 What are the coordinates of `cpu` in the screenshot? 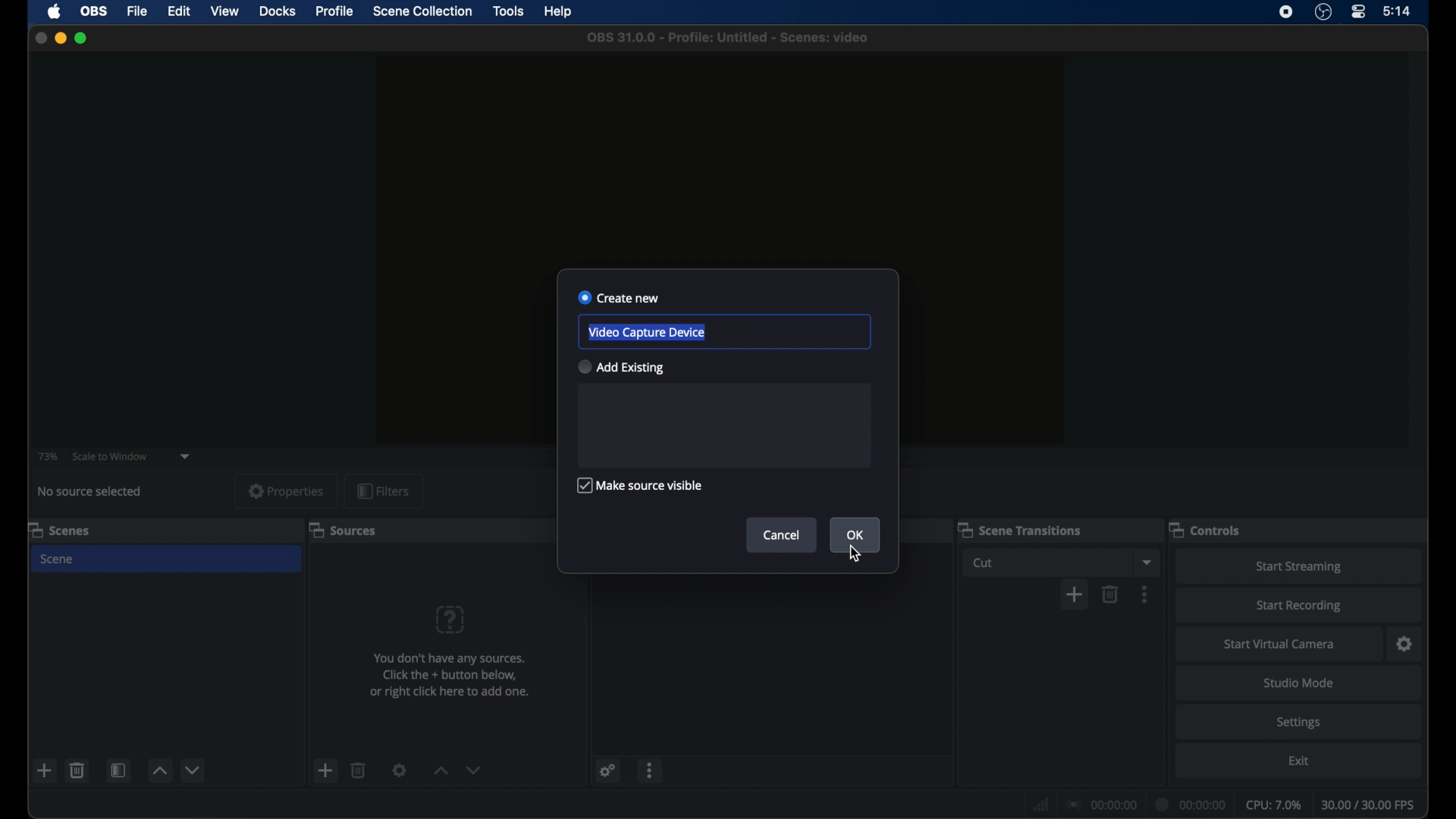 It's located at (1274, 805).